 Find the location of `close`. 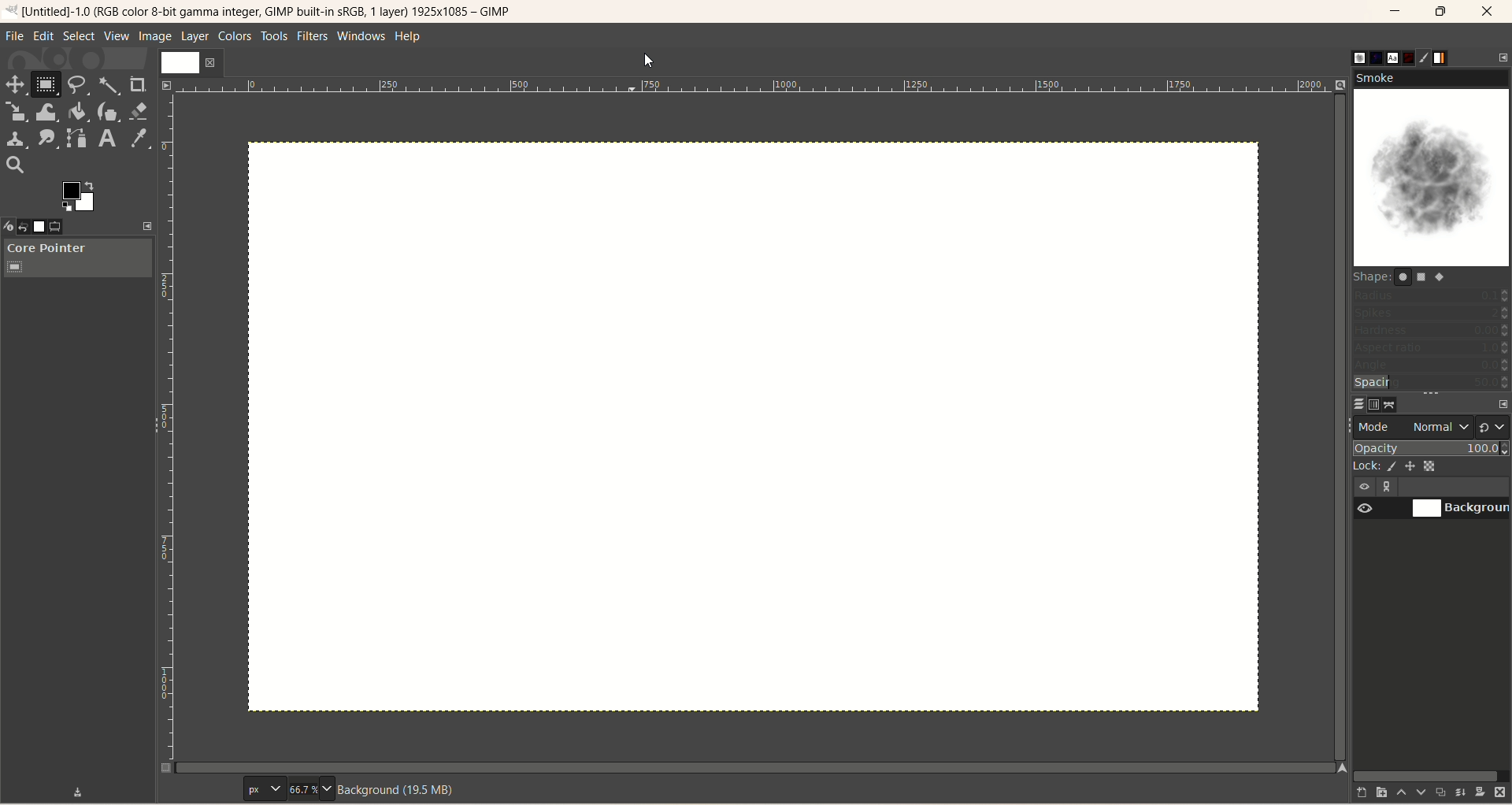

close is located at coordinates (1488, 11).